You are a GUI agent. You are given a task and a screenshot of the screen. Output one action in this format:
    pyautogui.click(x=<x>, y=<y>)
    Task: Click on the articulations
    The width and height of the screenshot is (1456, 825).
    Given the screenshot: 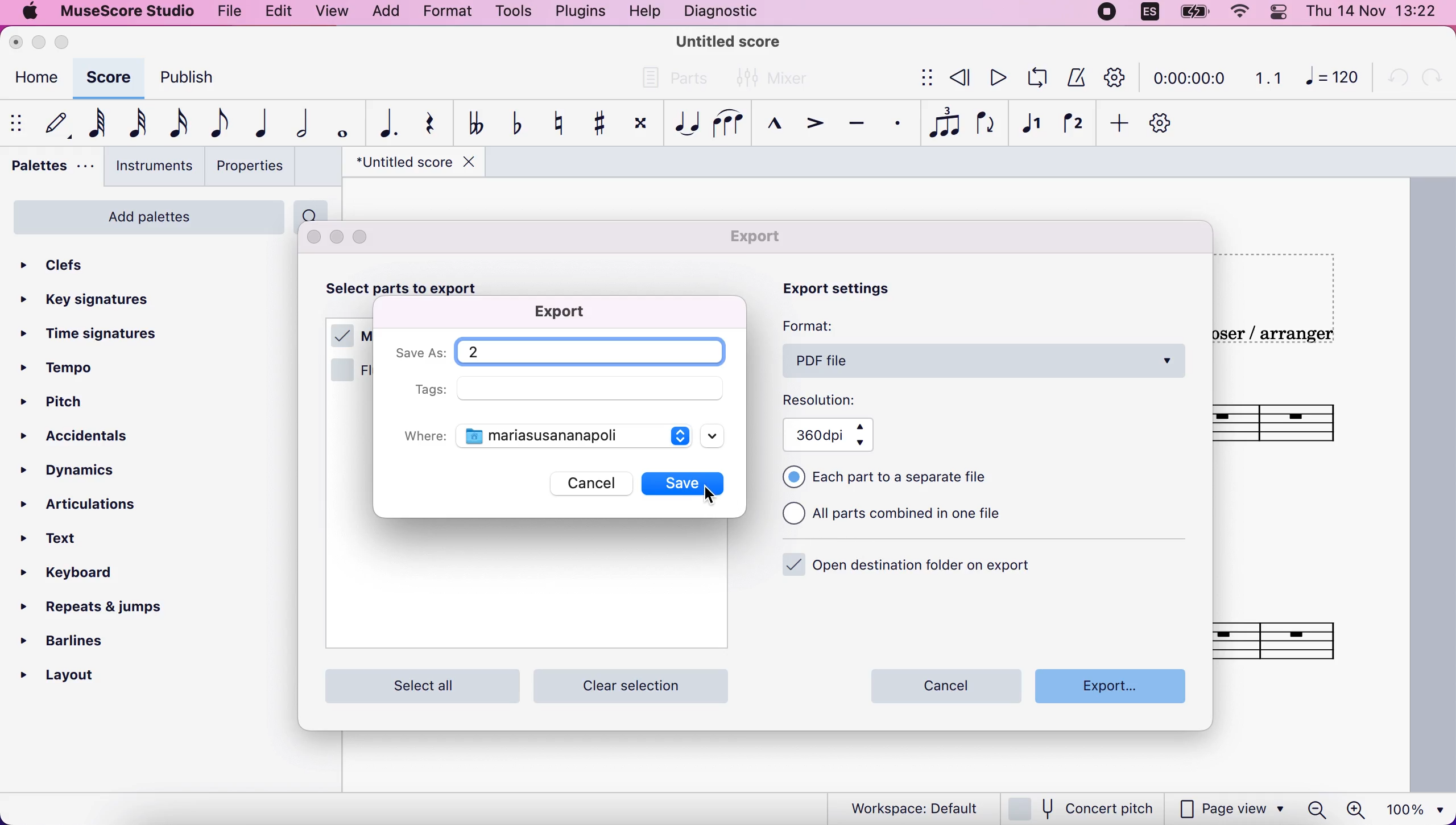 What is the action you would take?
    pyautogui.click(x=78, y=505)
    